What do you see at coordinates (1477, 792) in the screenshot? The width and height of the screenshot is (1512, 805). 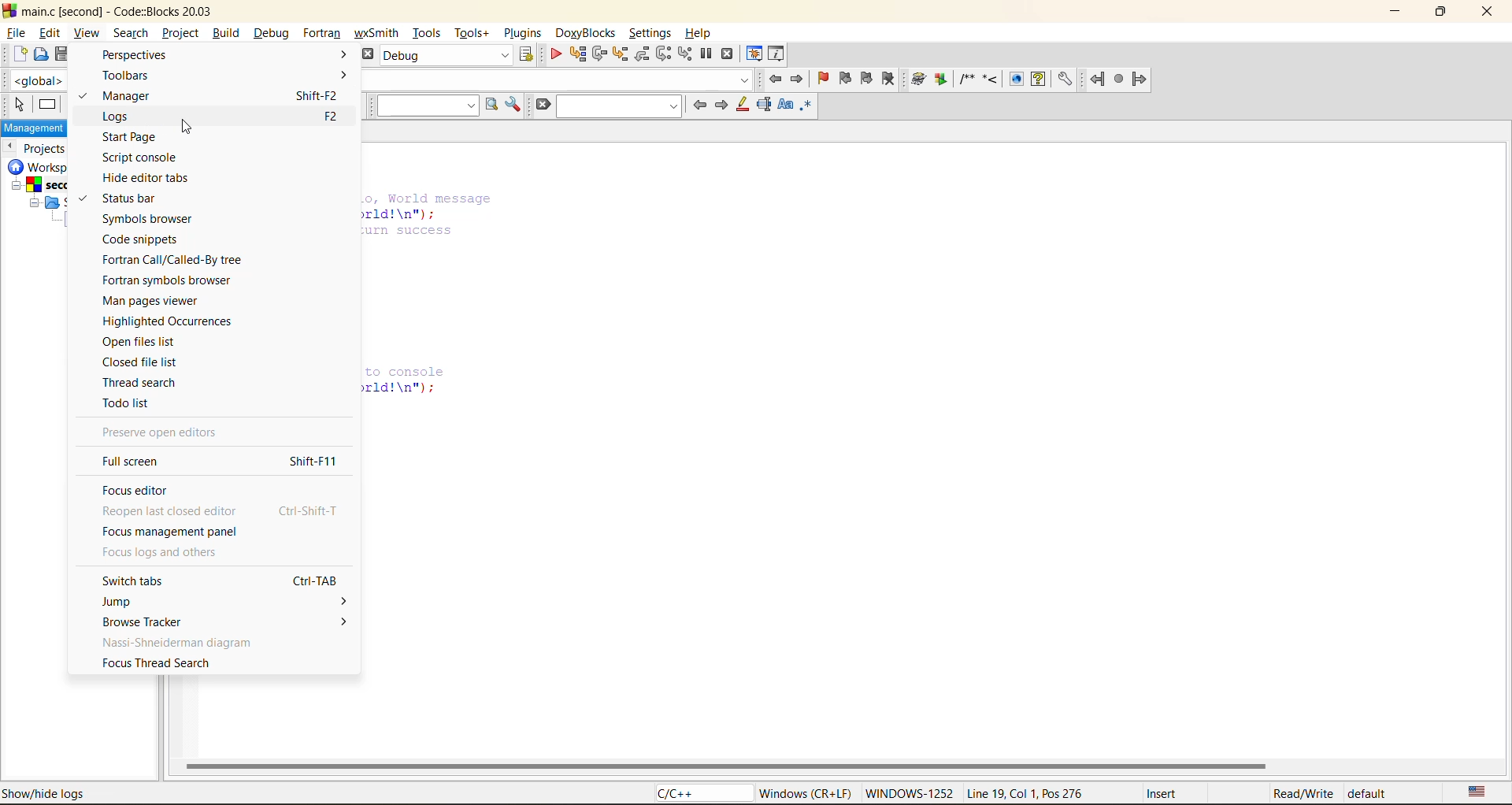 I see `text language` at bounding box center [1477, 792].